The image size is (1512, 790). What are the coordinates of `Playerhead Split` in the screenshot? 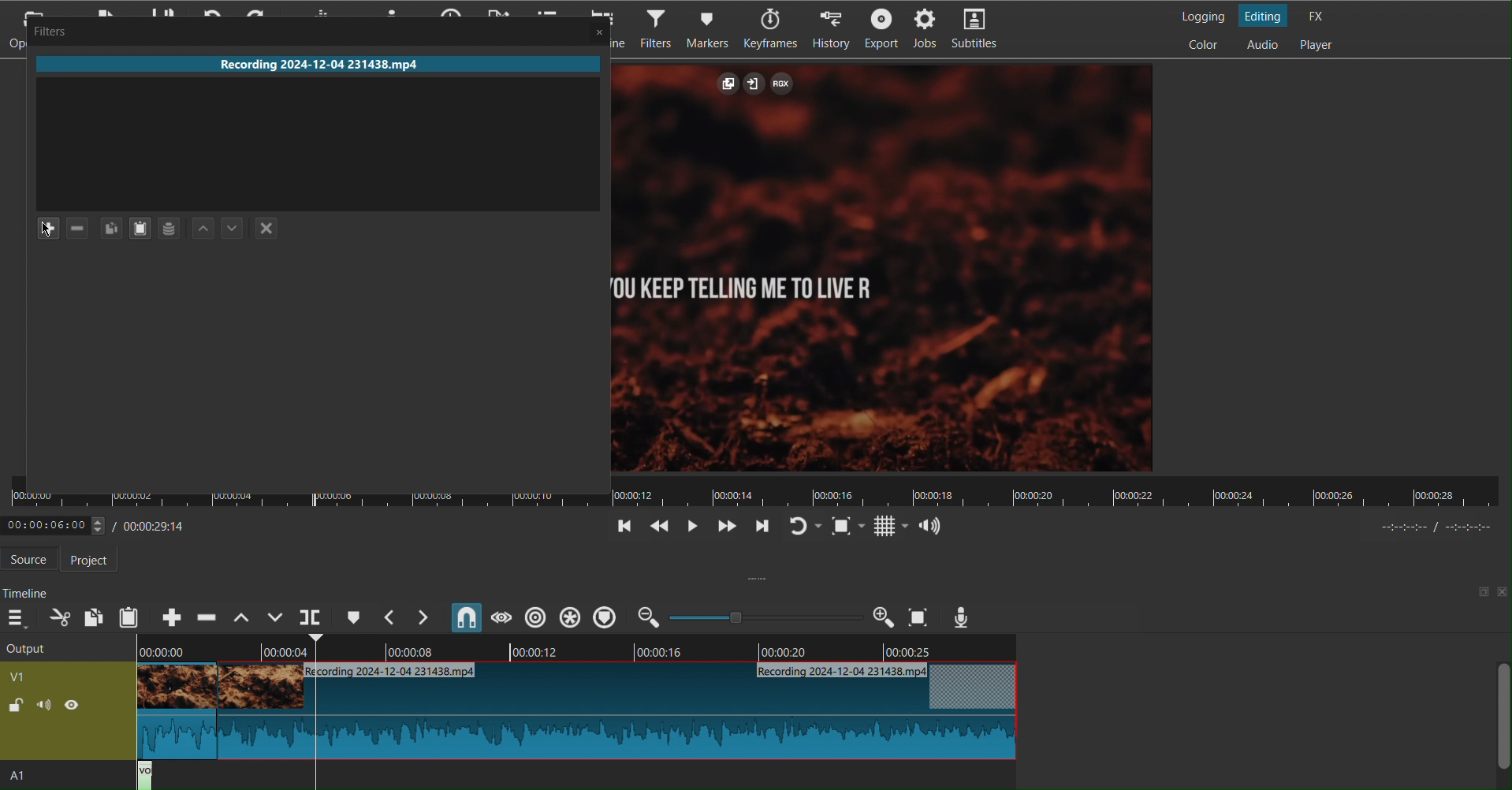 It's located at (311, 617).